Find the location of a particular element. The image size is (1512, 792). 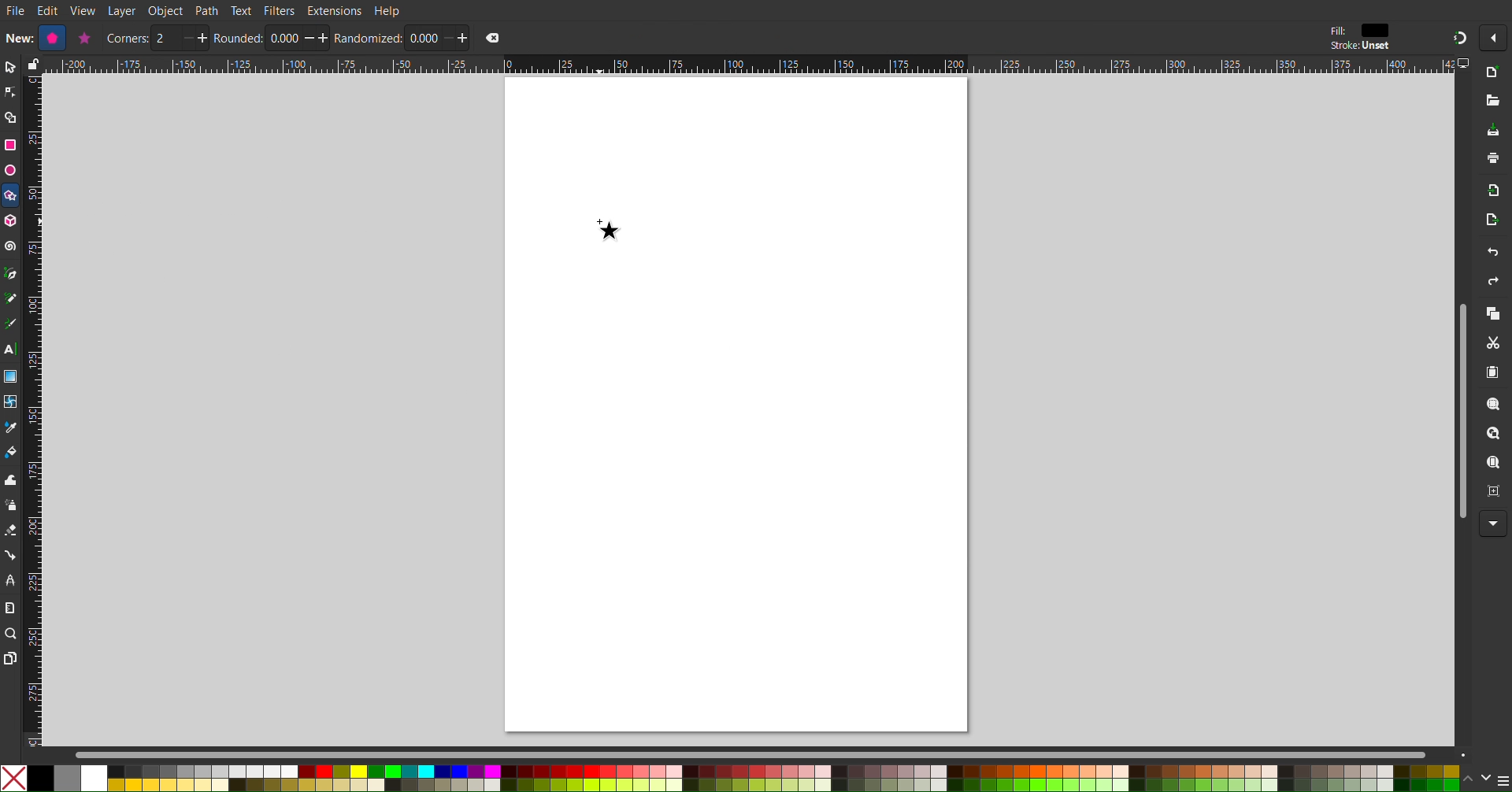

Edit is located at coordinates (50, 11).